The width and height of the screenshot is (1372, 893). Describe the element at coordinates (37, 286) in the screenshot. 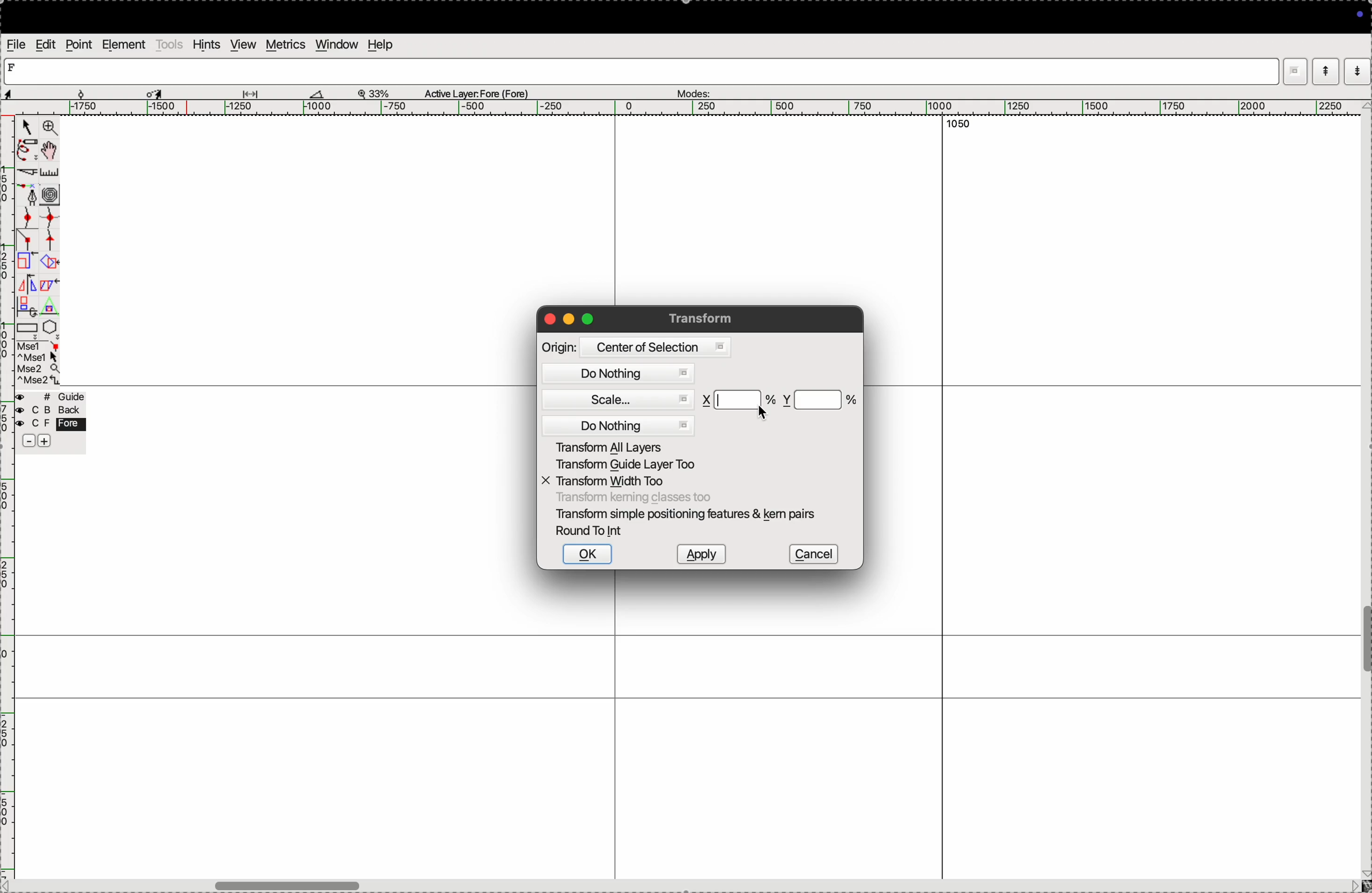

I see `mirror` at that location.